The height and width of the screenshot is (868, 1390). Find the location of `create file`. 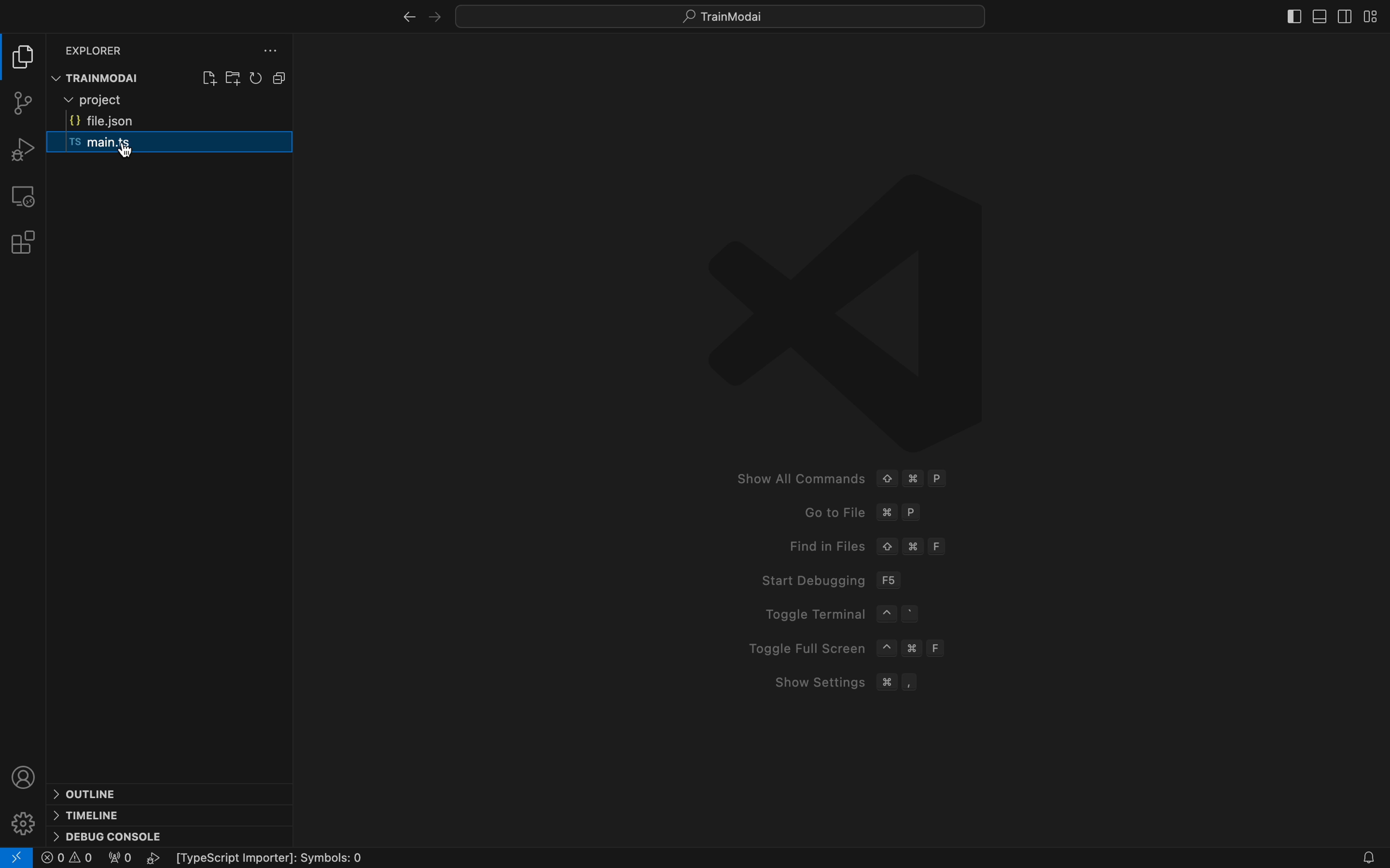

create file is located at coordinates (207, 79).